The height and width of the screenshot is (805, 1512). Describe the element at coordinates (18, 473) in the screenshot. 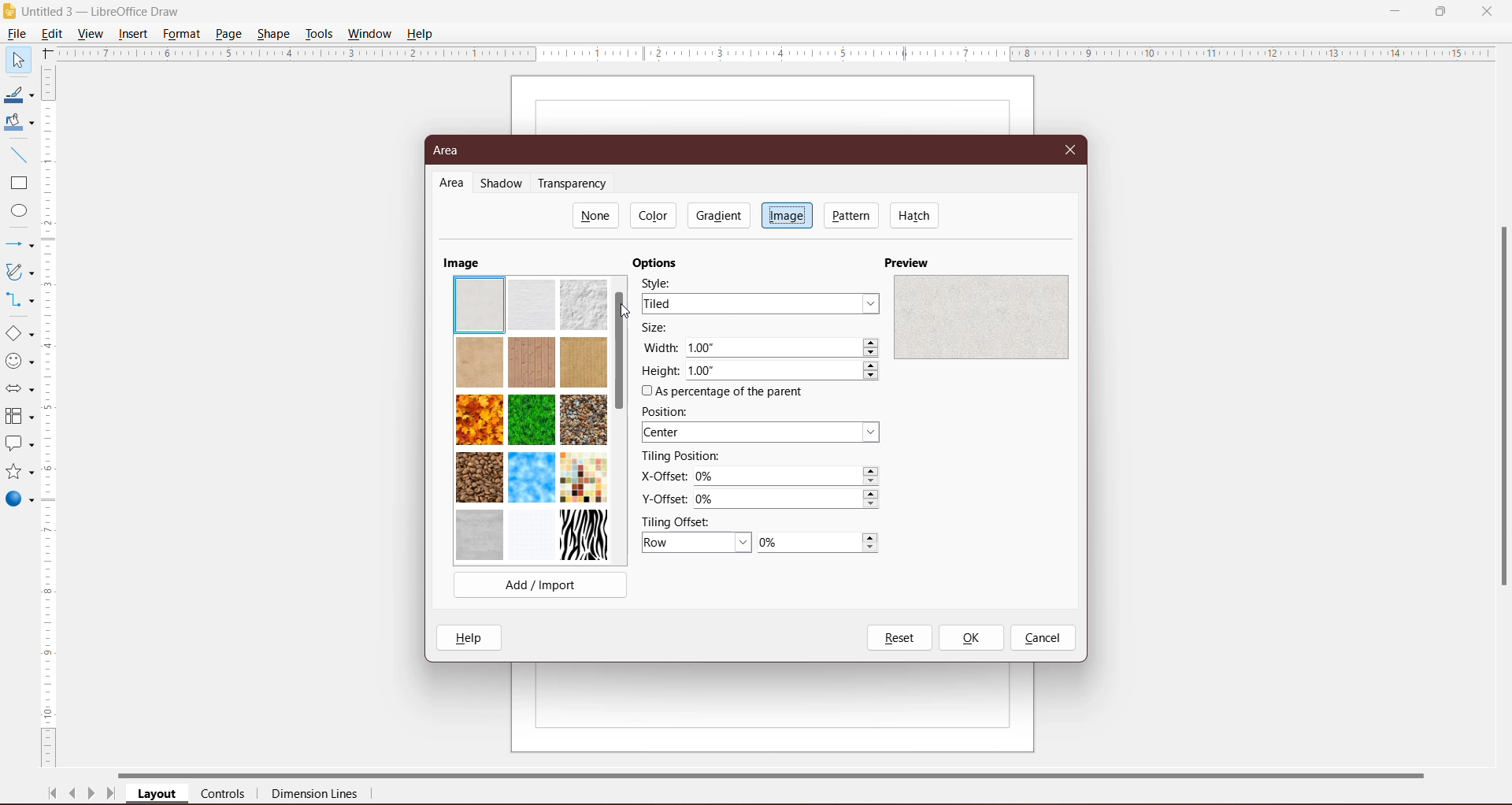

I see `Stars and Banners` at that location.